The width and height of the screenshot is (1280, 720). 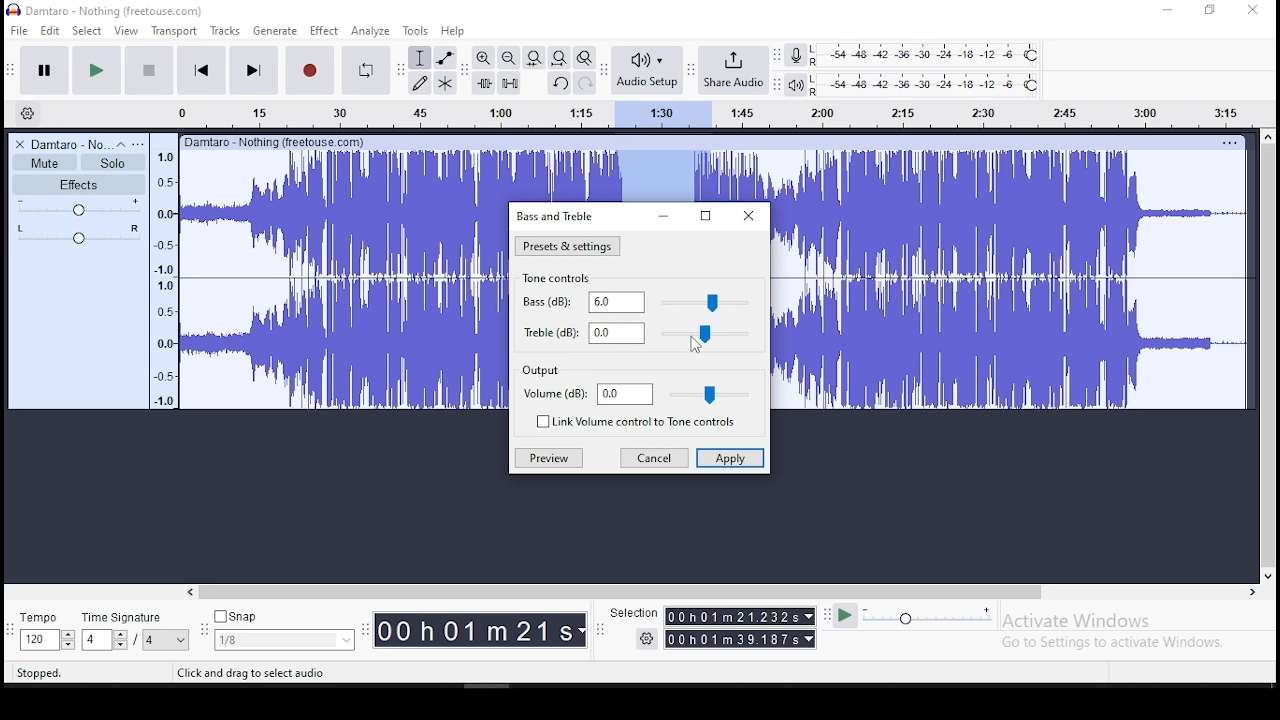 What do you see at coordinates (566, 246) in the screenshot?
I see `presets and settings` at bounding box center [566, 246].